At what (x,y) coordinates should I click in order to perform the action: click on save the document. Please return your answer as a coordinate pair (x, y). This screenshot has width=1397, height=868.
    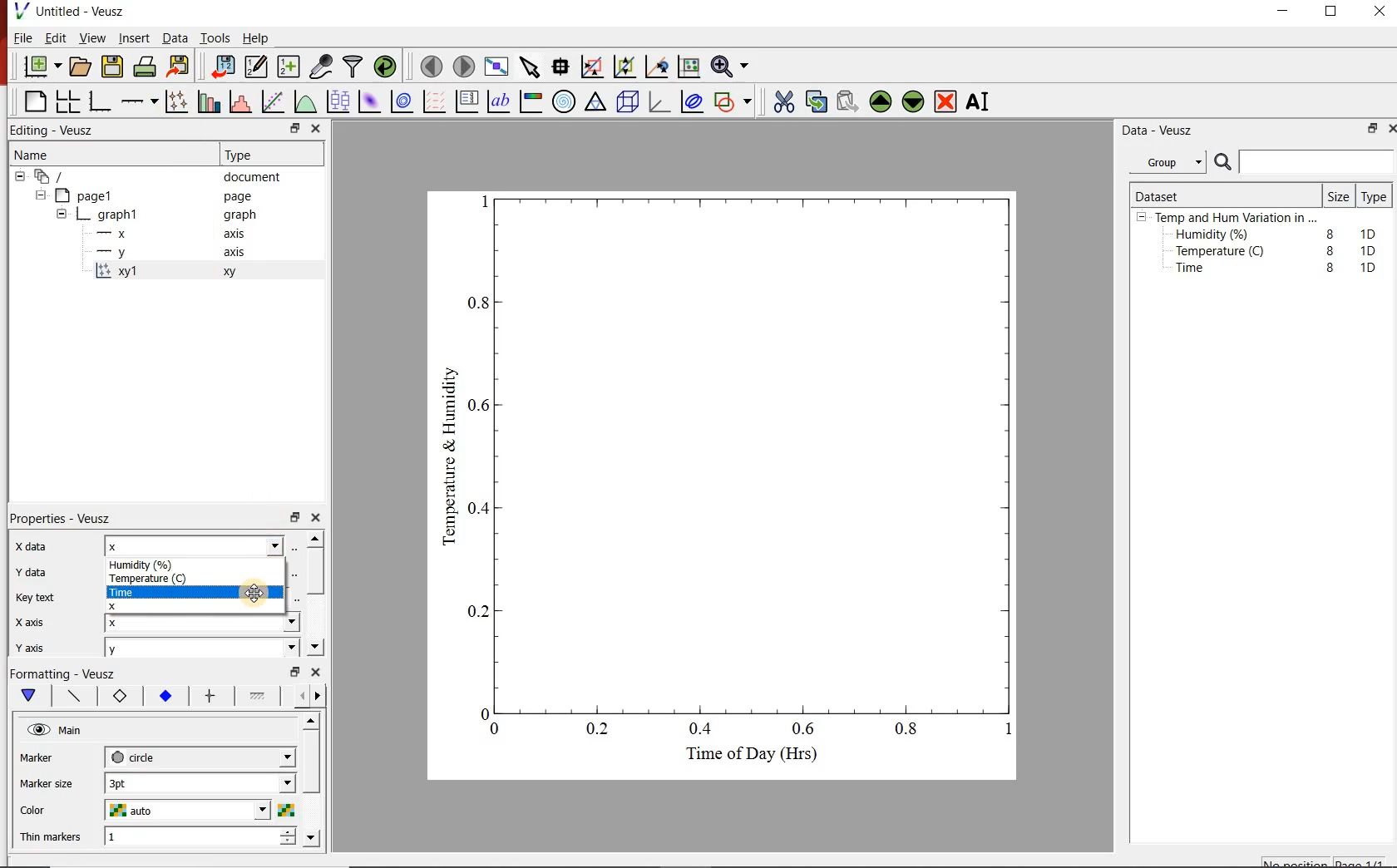
    Looking at the image, I should click on (113, 67).